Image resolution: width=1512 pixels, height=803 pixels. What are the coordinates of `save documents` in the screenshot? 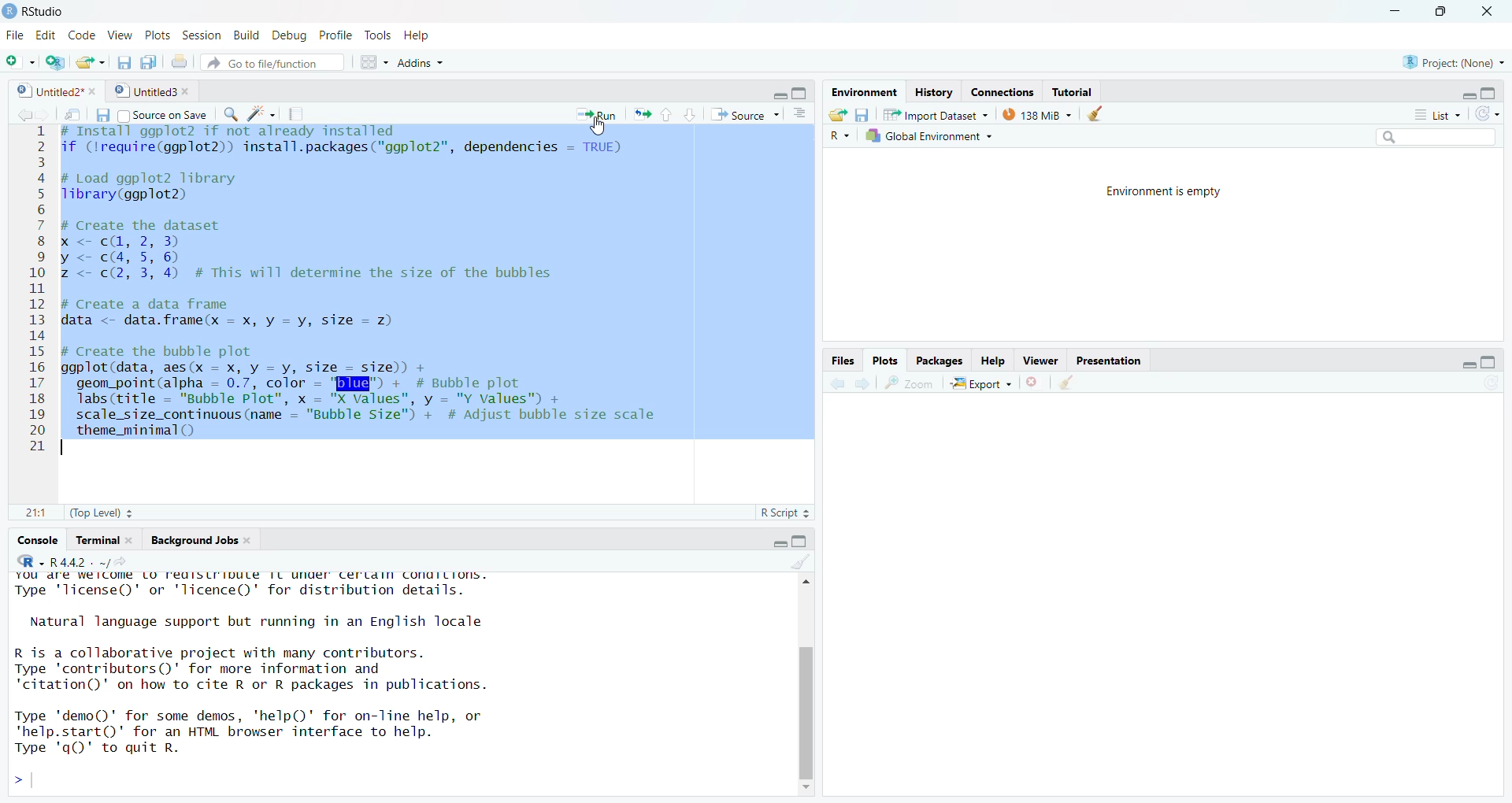 It's located at (149, 59).